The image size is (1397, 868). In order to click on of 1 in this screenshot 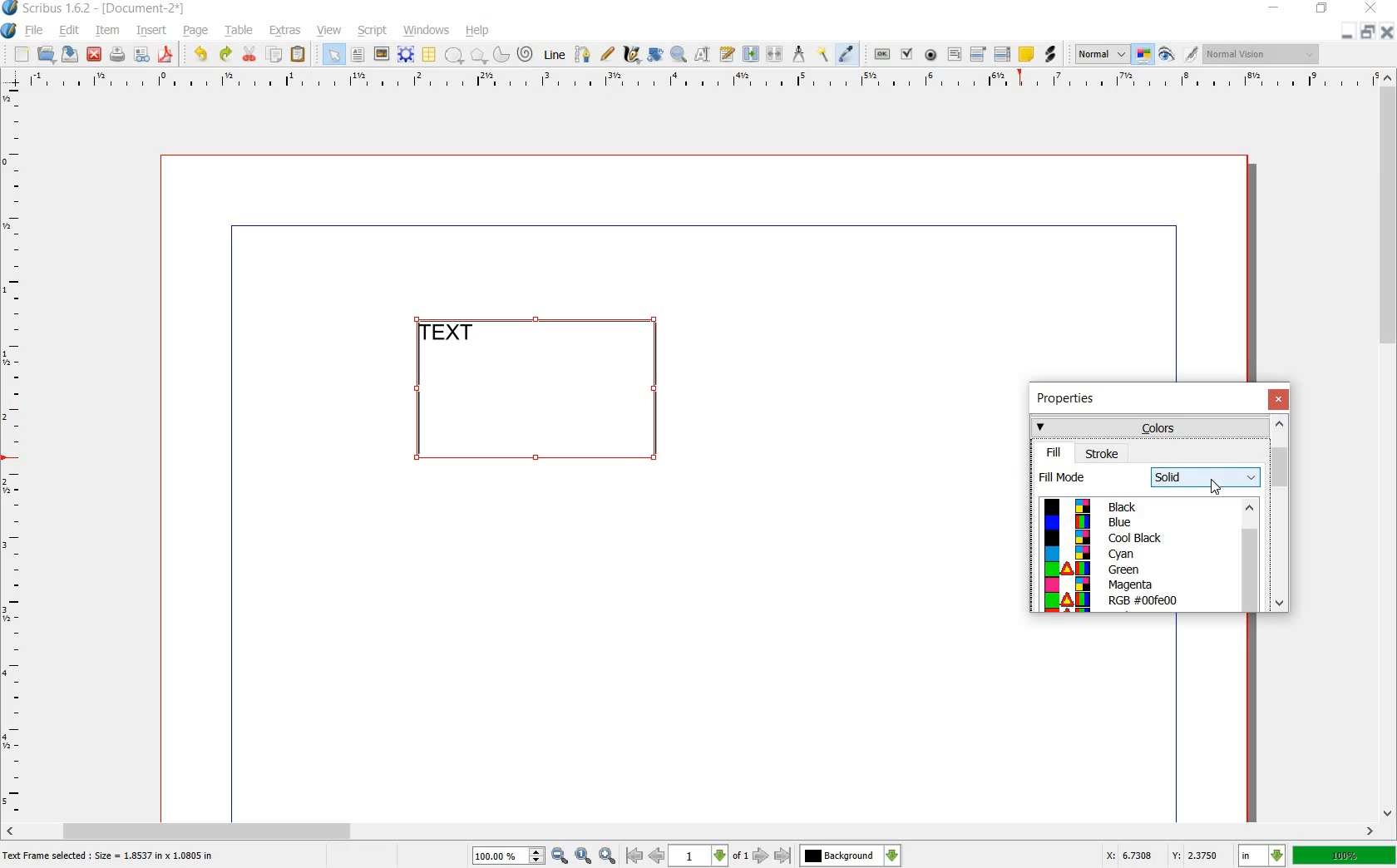, I will do `click(739, 857)`.